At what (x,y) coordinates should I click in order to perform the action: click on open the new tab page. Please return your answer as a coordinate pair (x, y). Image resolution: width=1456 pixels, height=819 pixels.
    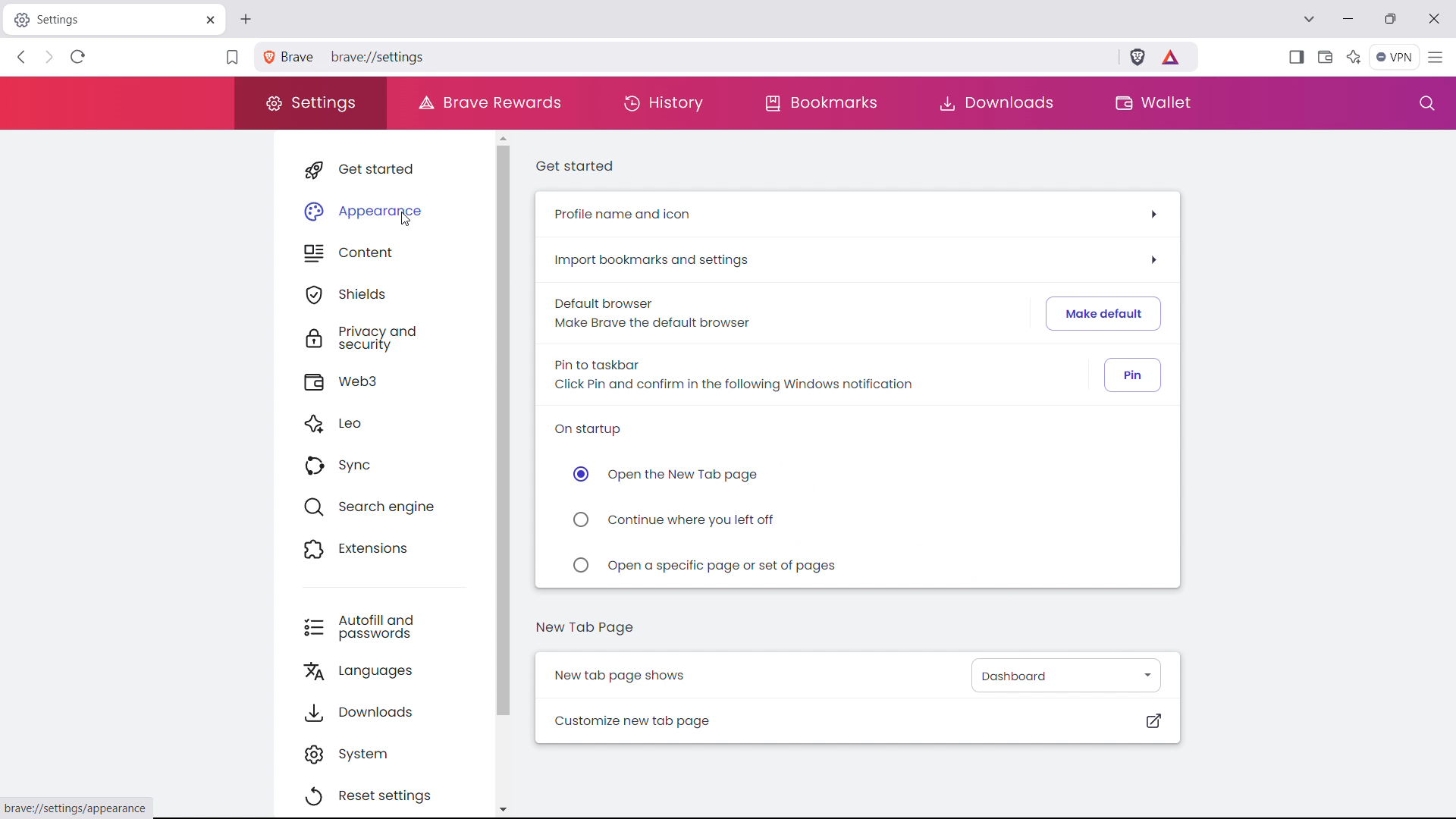
    Looking at the image, I should click on (668, 474).